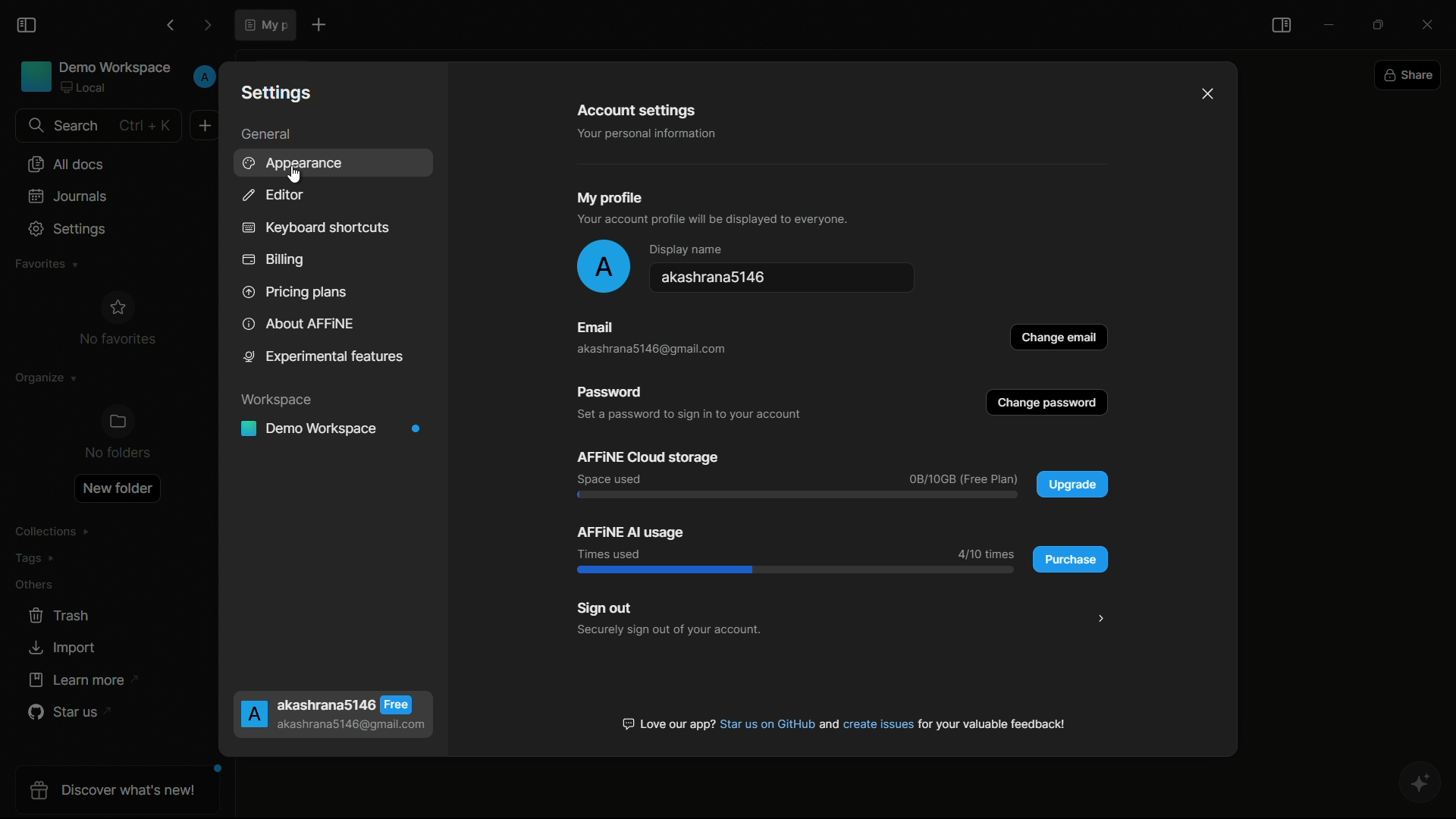 This screenshot has height=819, width=1456. Describe the element at coordinates (397, 704) in the screenshot. I see `Free` at that location.